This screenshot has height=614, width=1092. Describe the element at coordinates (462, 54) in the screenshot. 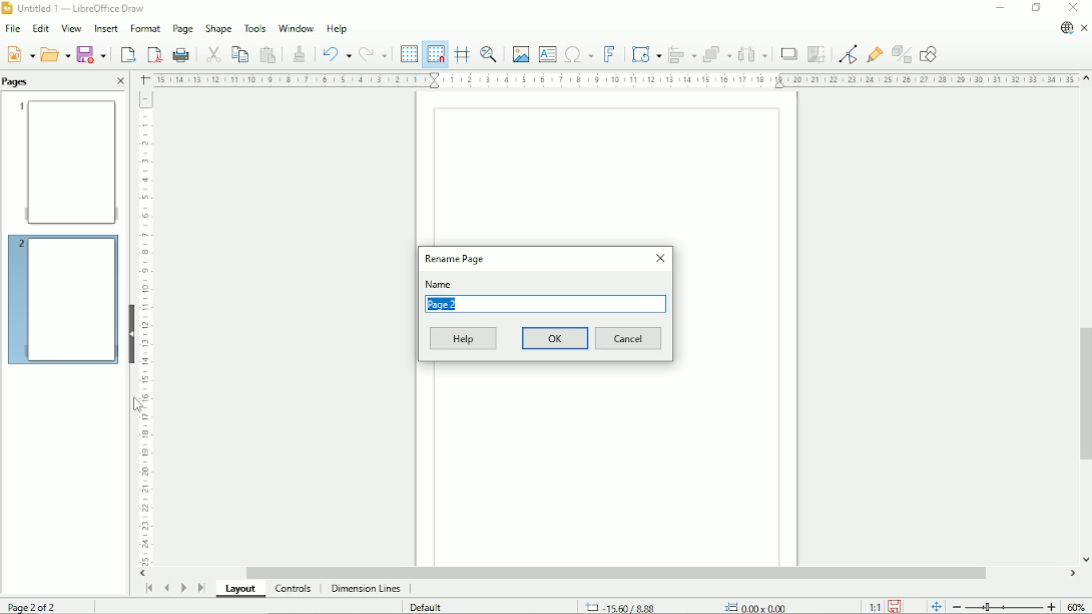

I see `Helplines while moving` at that location.